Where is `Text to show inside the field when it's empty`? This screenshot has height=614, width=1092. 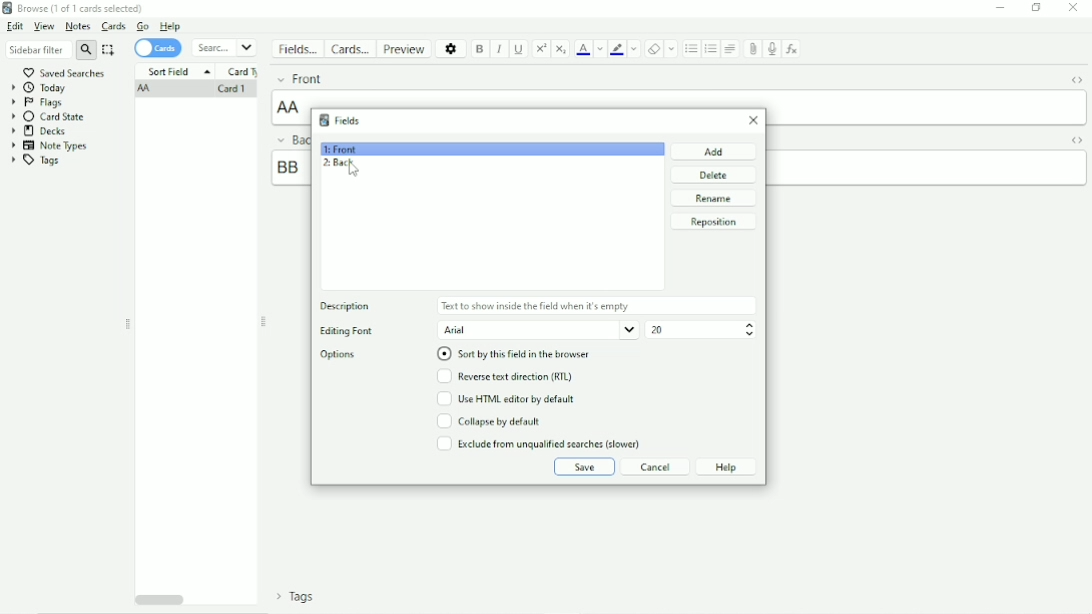 Text to show inside the field when it's empty is located at coordinates (537, 306).